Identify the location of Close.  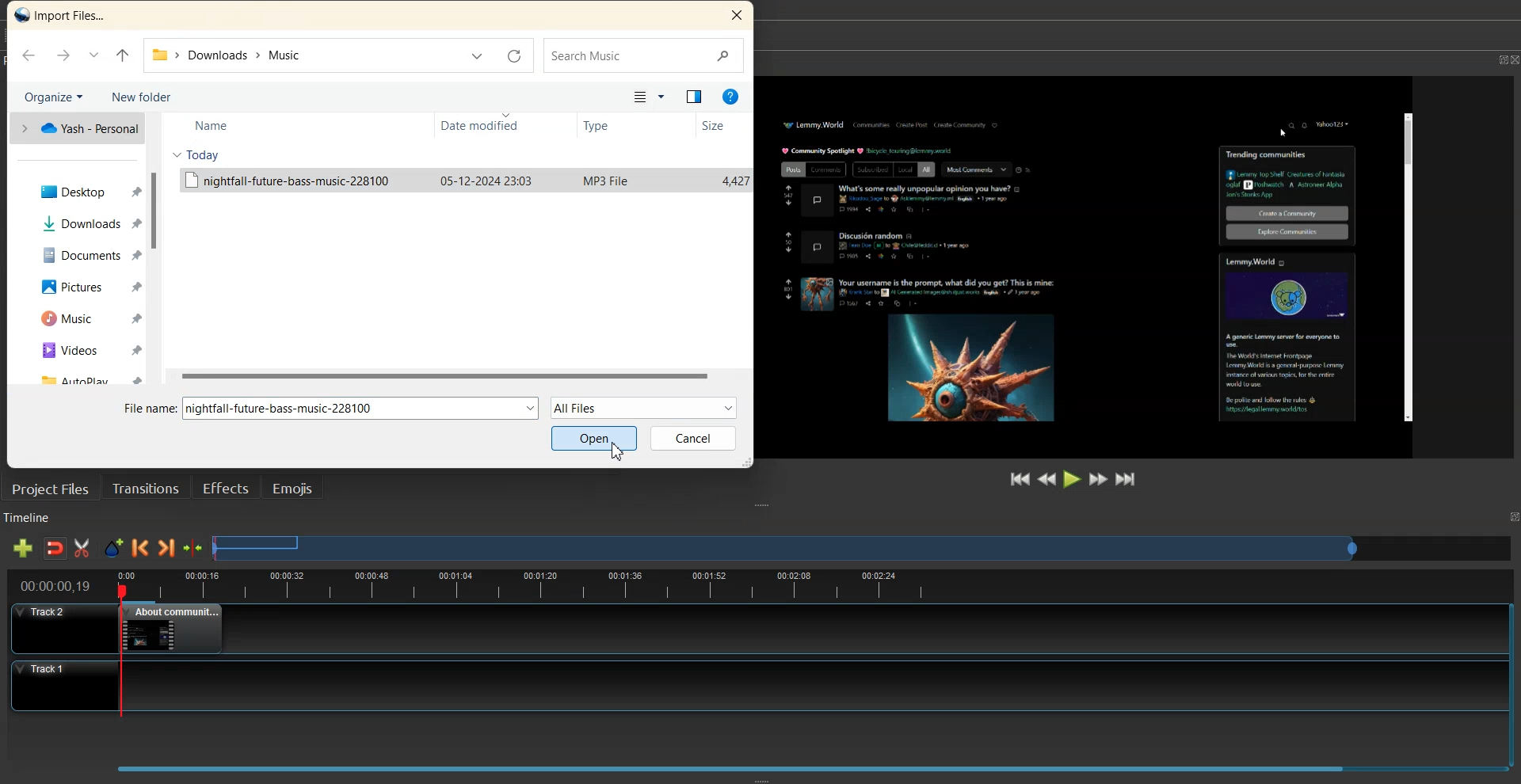
(736, 16).